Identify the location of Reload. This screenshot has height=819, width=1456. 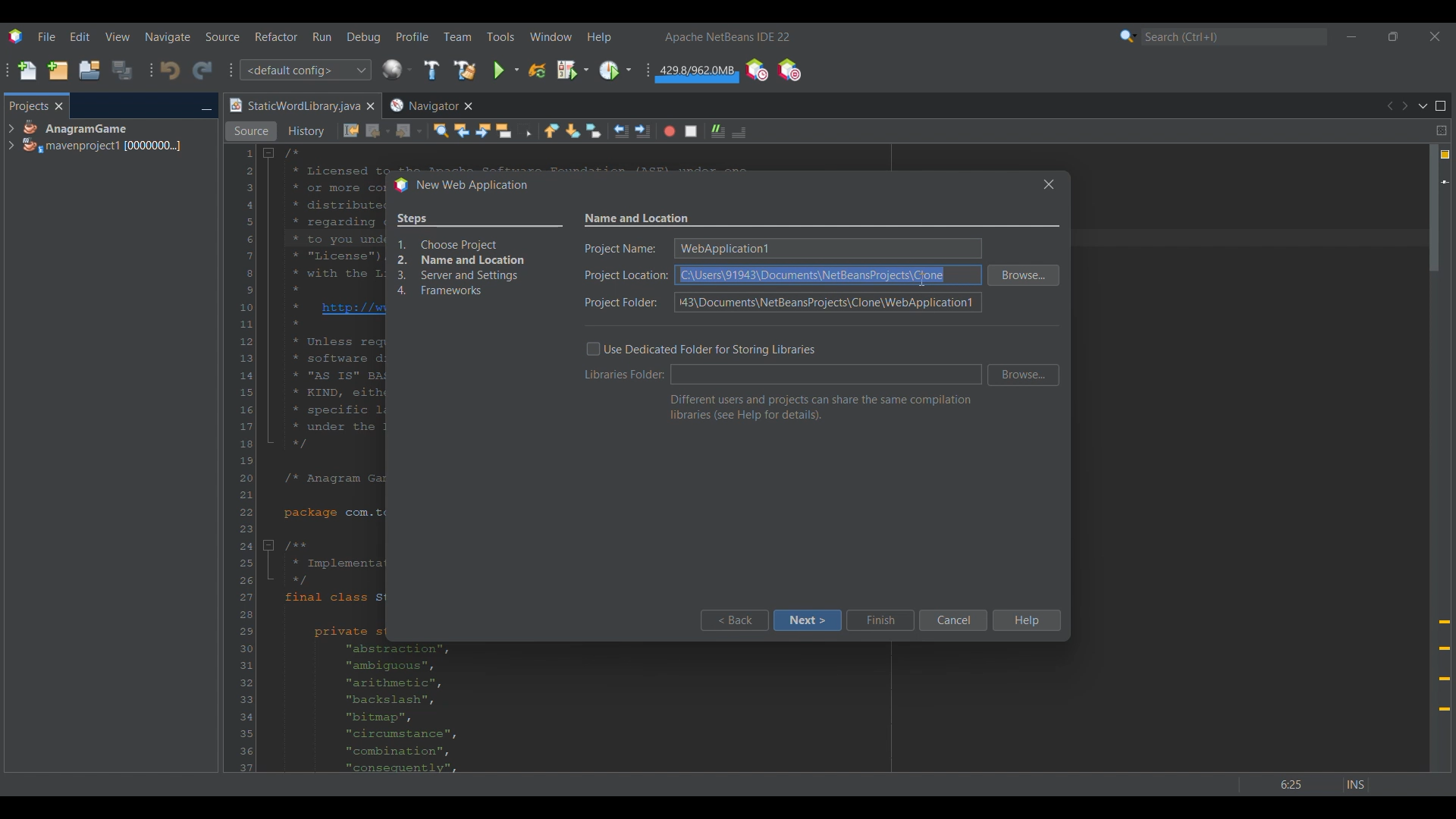
(537, 71).